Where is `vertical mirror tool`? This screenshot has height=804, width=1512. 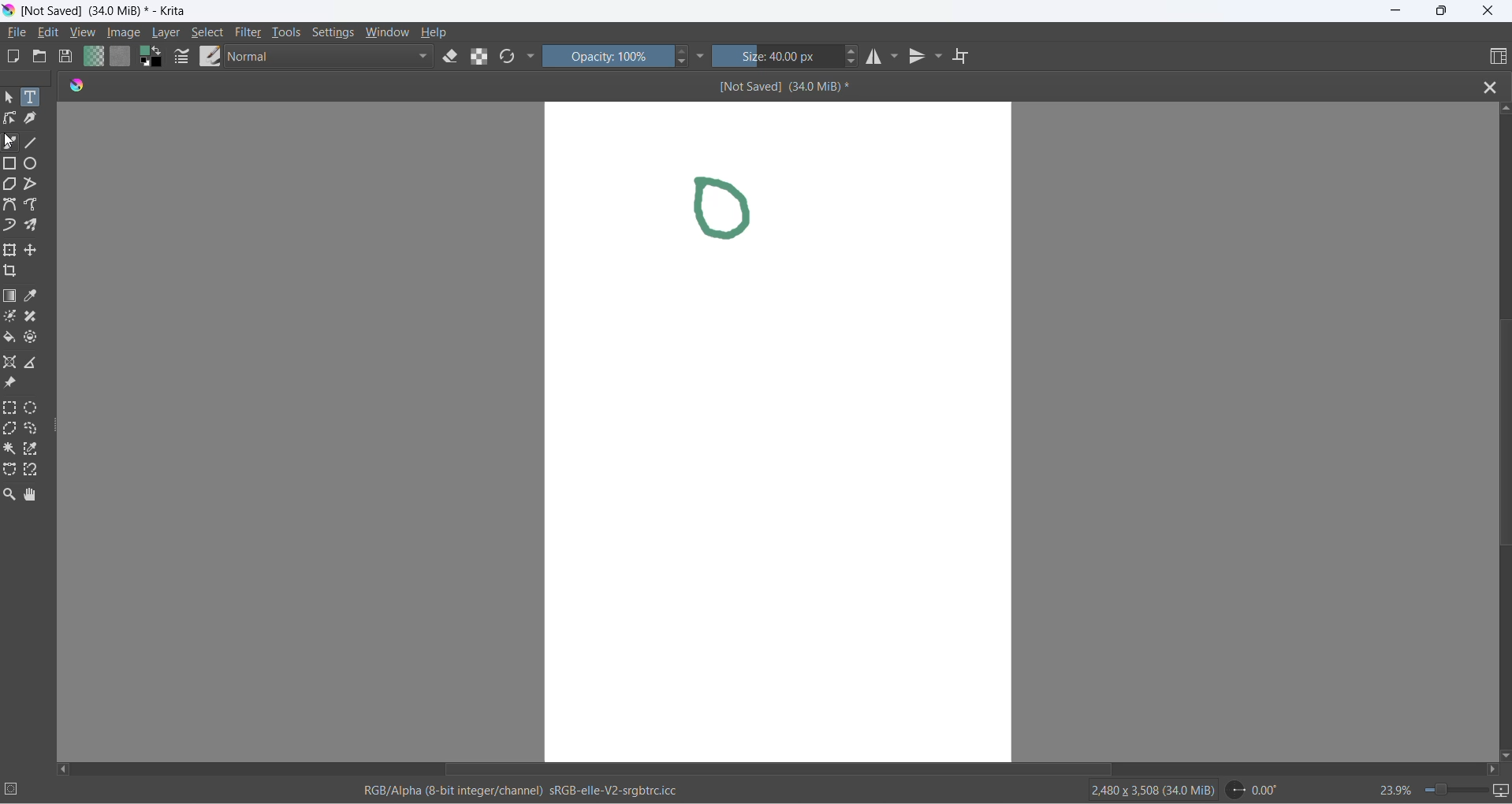
vertical mirror tool is located at coordinates (919, 57).